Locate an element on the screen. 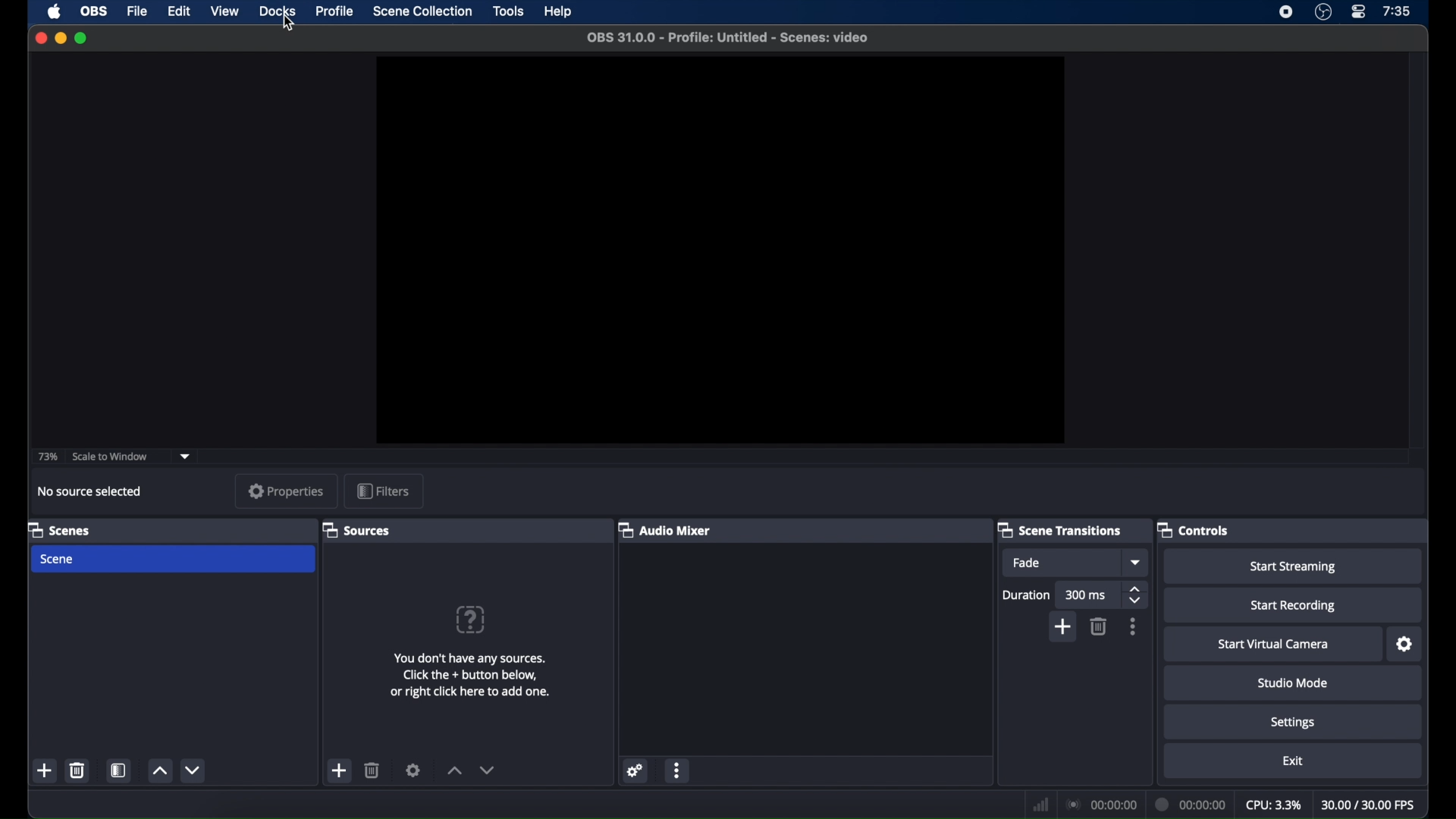 Image resolution: width=1456 pixels, height=819 pixels. network is located at coordinates (1040, 805).